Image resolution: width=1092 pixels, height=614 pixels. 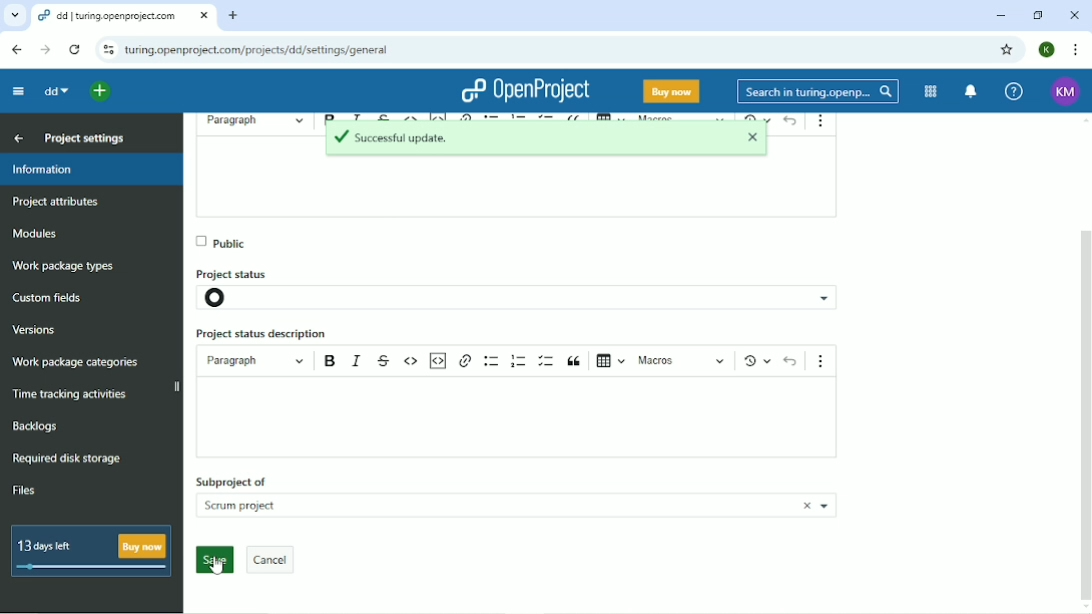 I want to click on Required disk storage, so click(x=67, y=460).